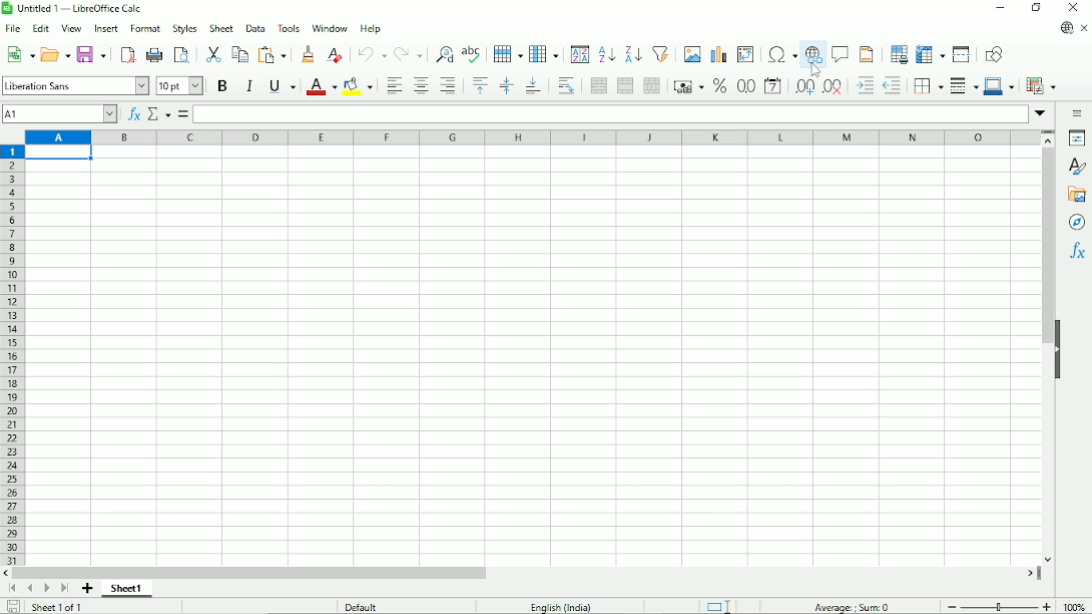 This screenshot has width=1092, height=614. I want to click on Formula, so click(183, 113).